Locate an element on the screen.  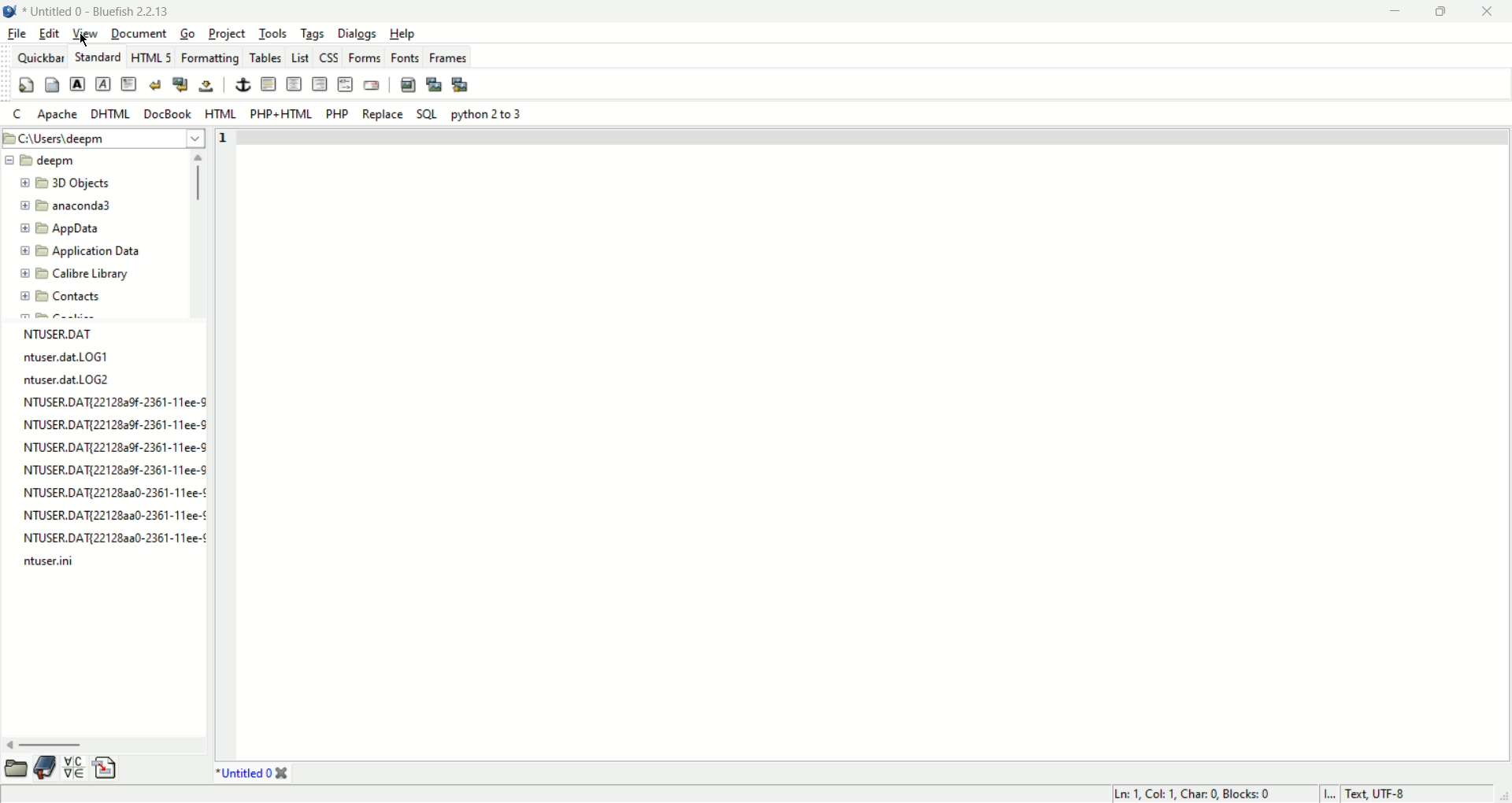
anchor is located at coordinates (243, 85).